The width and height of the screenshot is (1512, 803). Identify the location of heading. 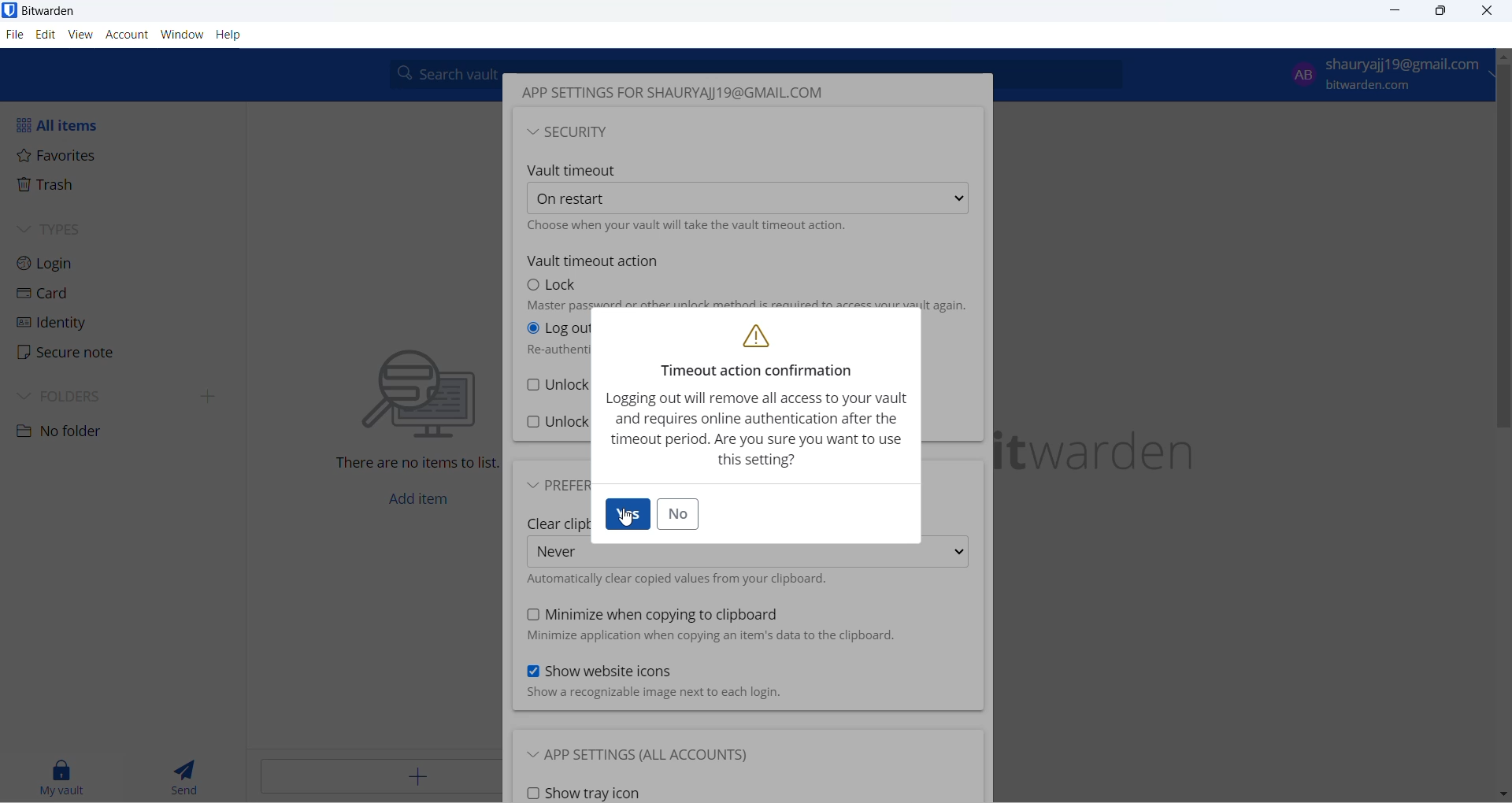
(698, 95).